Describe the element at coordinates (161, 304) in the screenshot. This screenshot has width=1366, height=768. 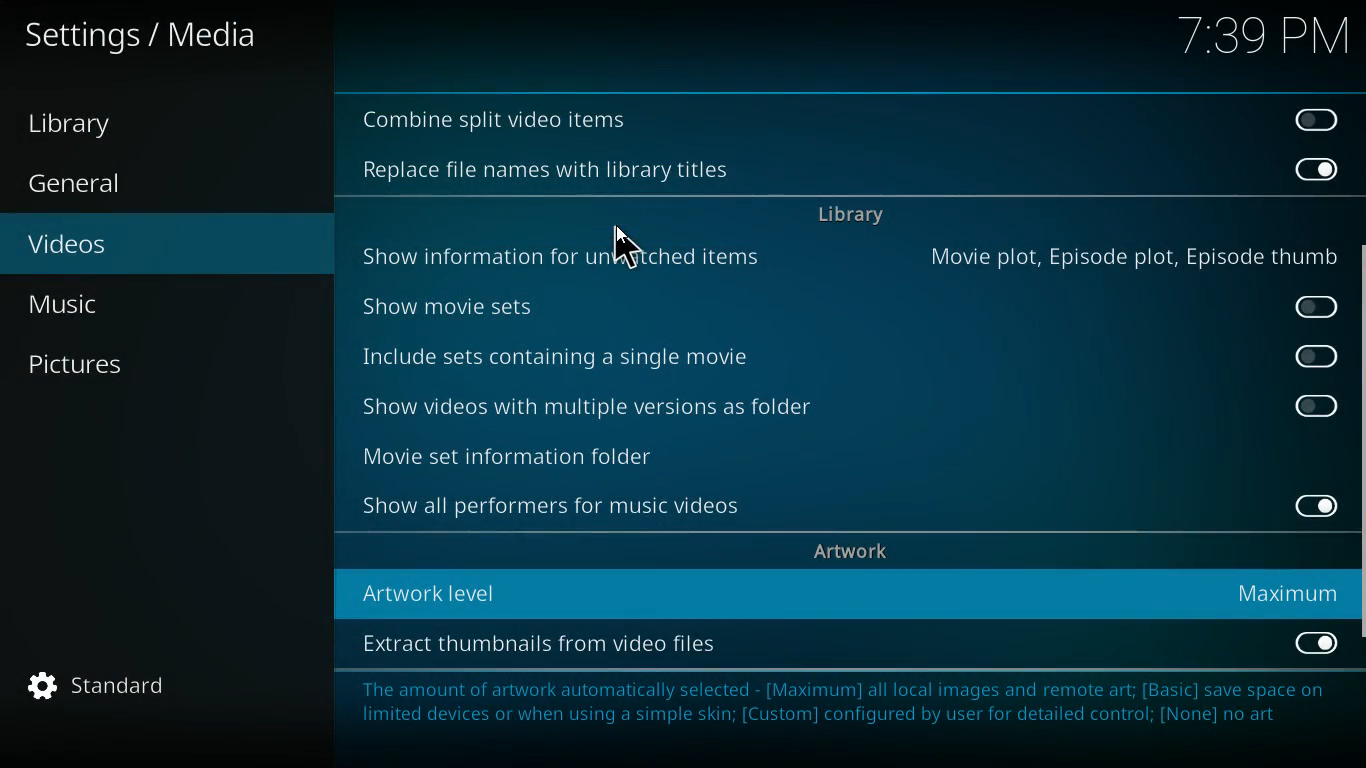
I see `music` at that location.